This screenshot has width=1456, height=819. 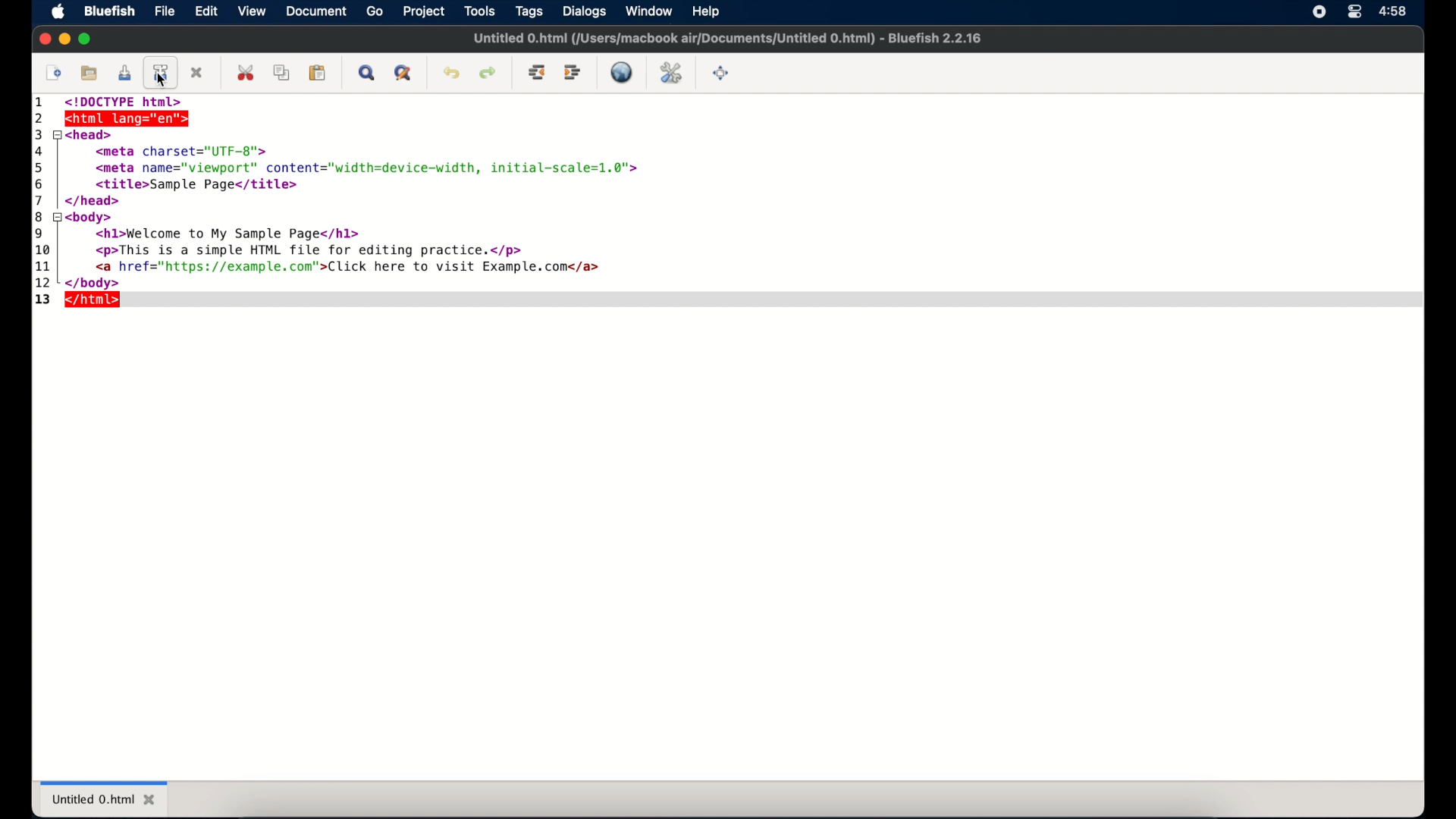 I want to click on window, so click(x=649, y=11).